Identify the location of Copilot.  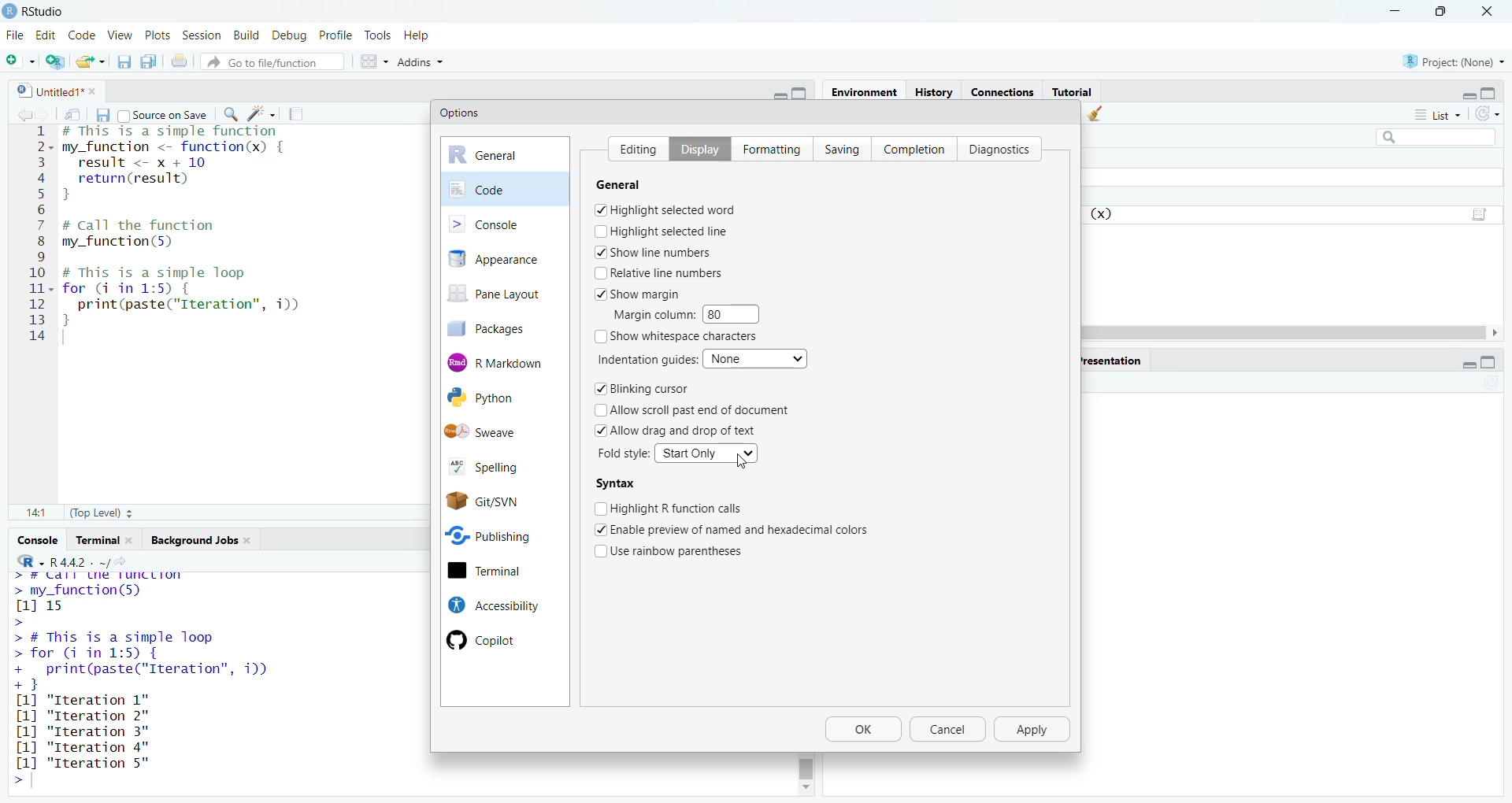
(490, 641).